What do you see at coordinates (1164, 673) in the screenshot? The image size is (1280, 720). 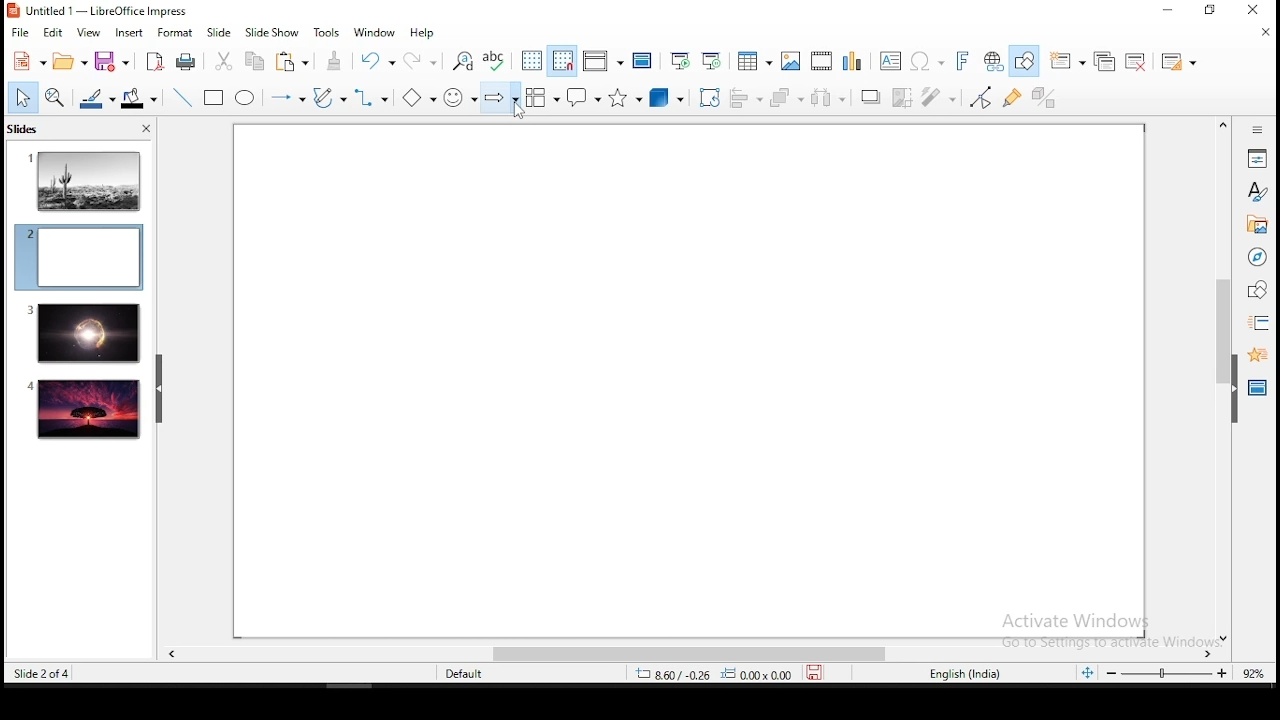 I see `zoom slider` at bounding box center [1164, 673].